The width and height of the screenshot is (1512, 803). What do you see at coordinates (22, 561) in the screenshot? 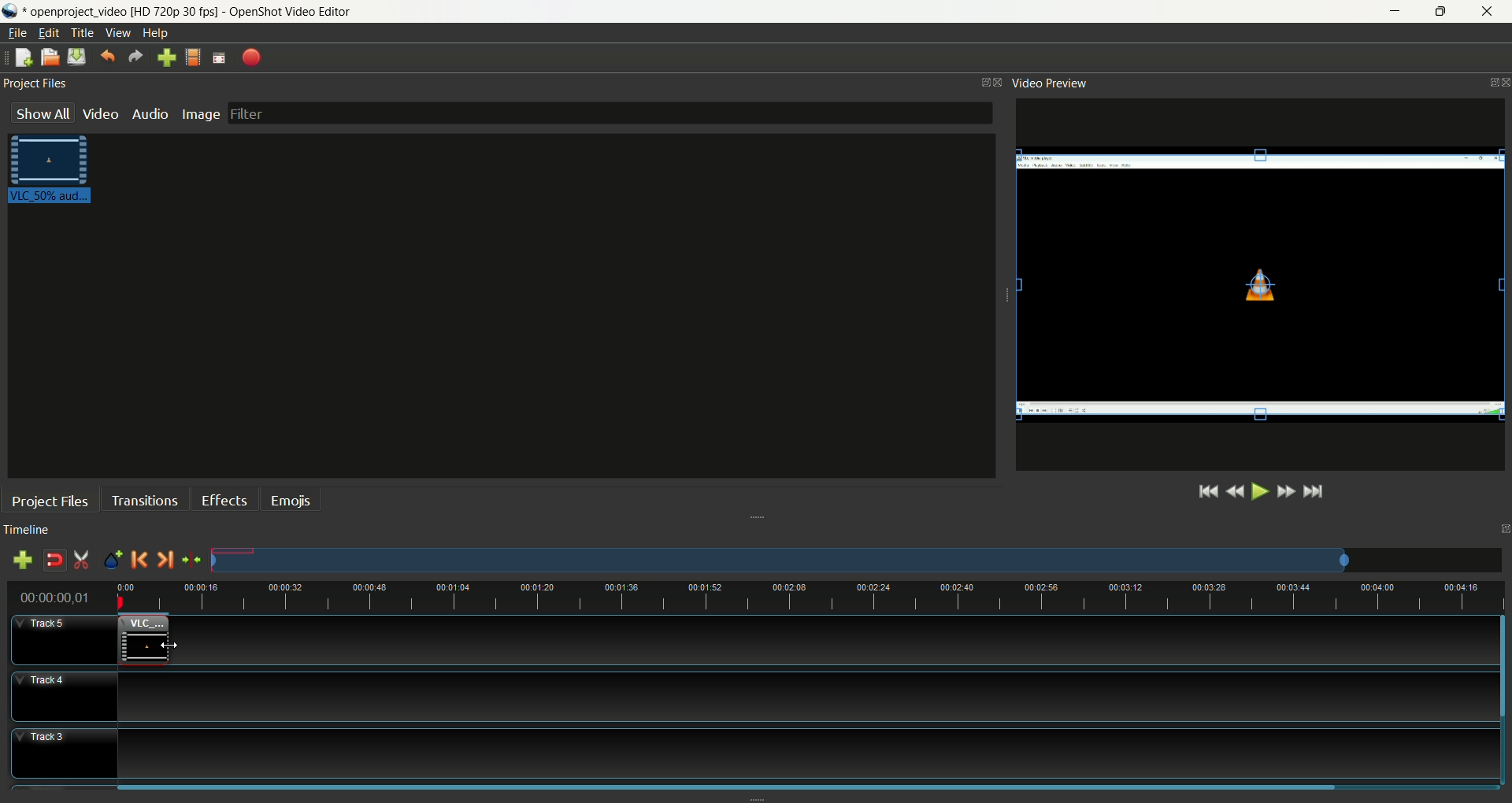
I see `add track` at bounding box center [22, 561].